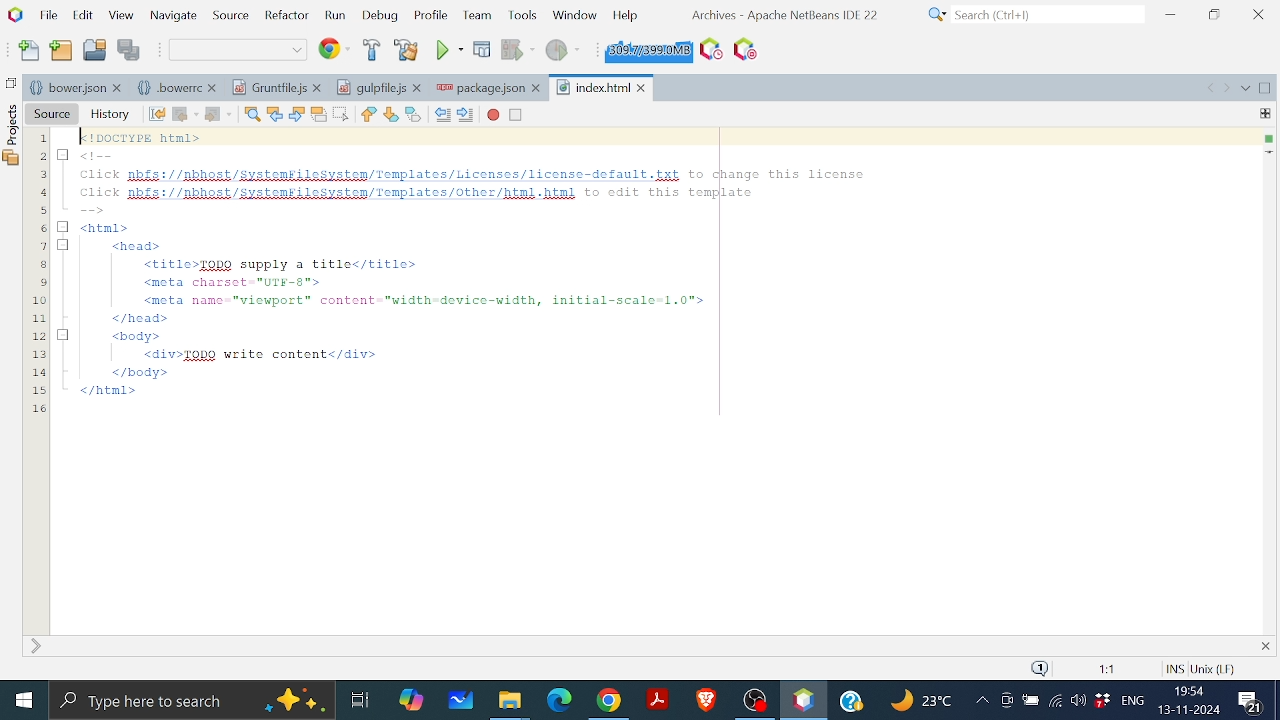 The height and width of the screenshot is (720, 1280). Describe the element at coordinates (420, 87) in the screenshot. I see `close` at that location.